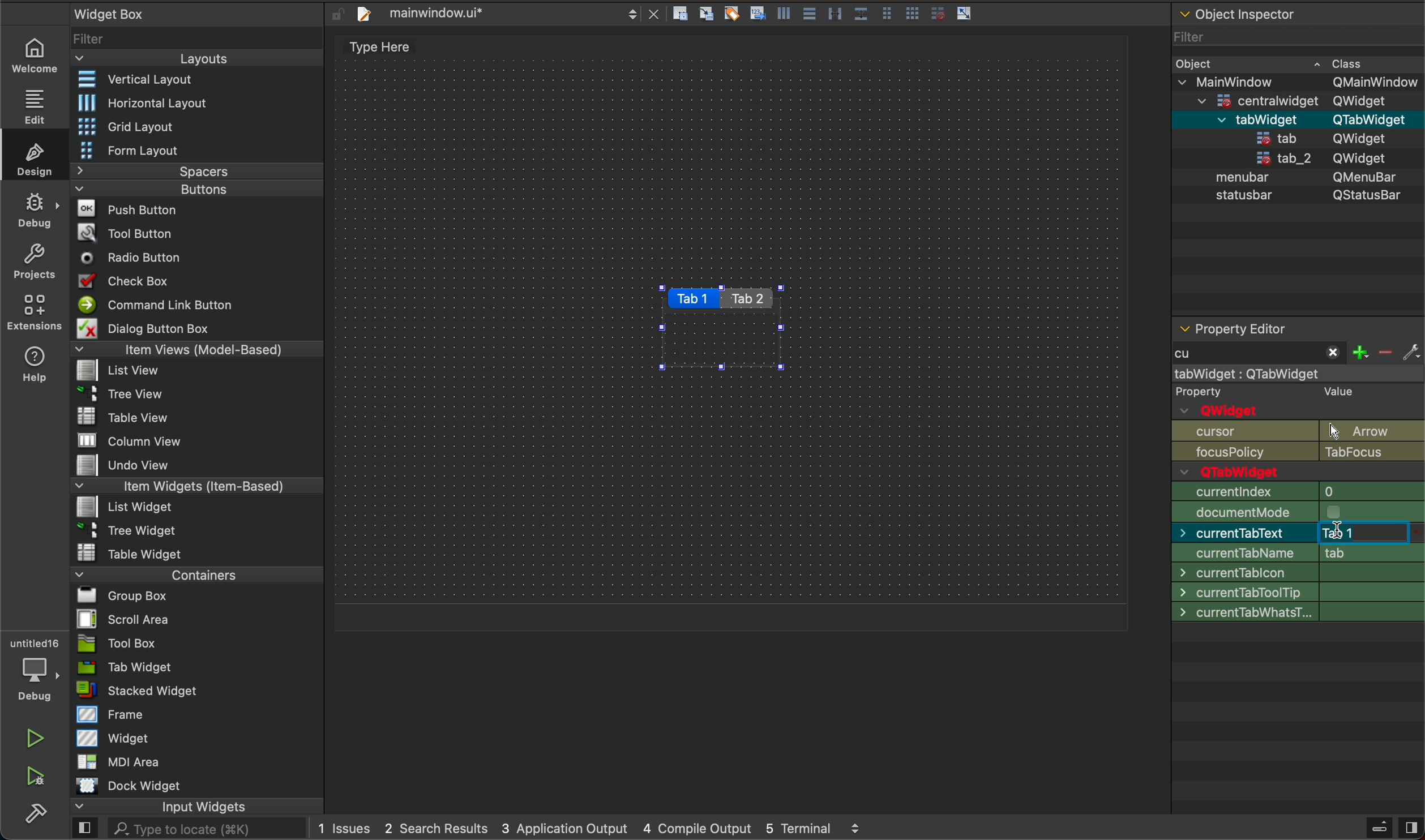 This screenshot has width=1425, height=840. I want to click on help, so click(37, 362).